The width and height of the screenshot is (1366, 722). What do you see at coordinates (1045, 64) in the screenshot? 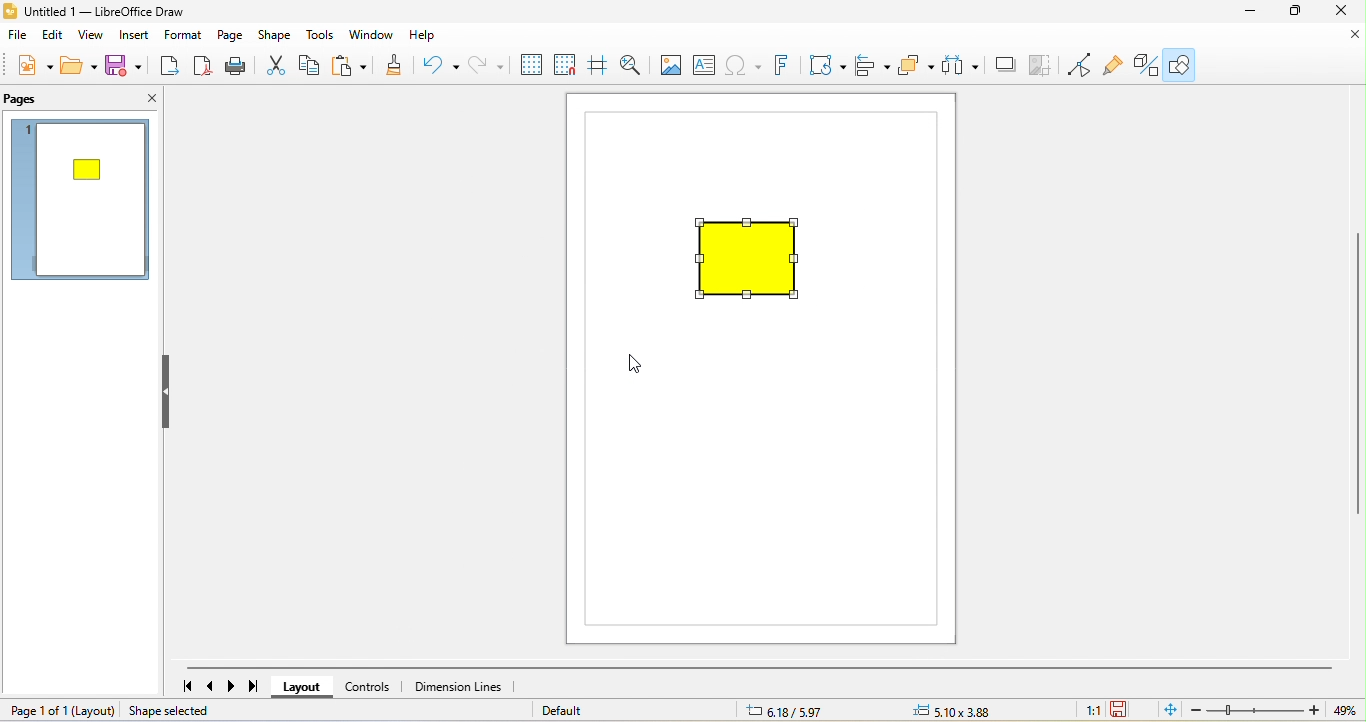
I see `crop image` at bounding box center [1045, 64].